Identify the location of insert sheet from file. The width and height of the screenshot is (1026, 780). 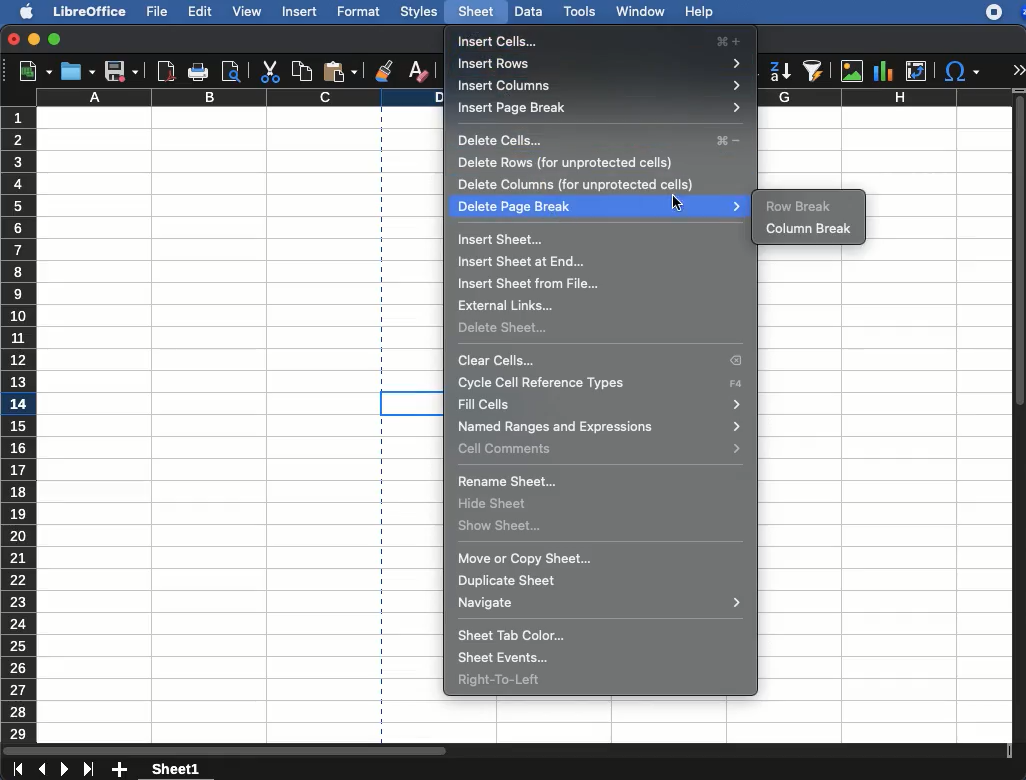
(530, 283).